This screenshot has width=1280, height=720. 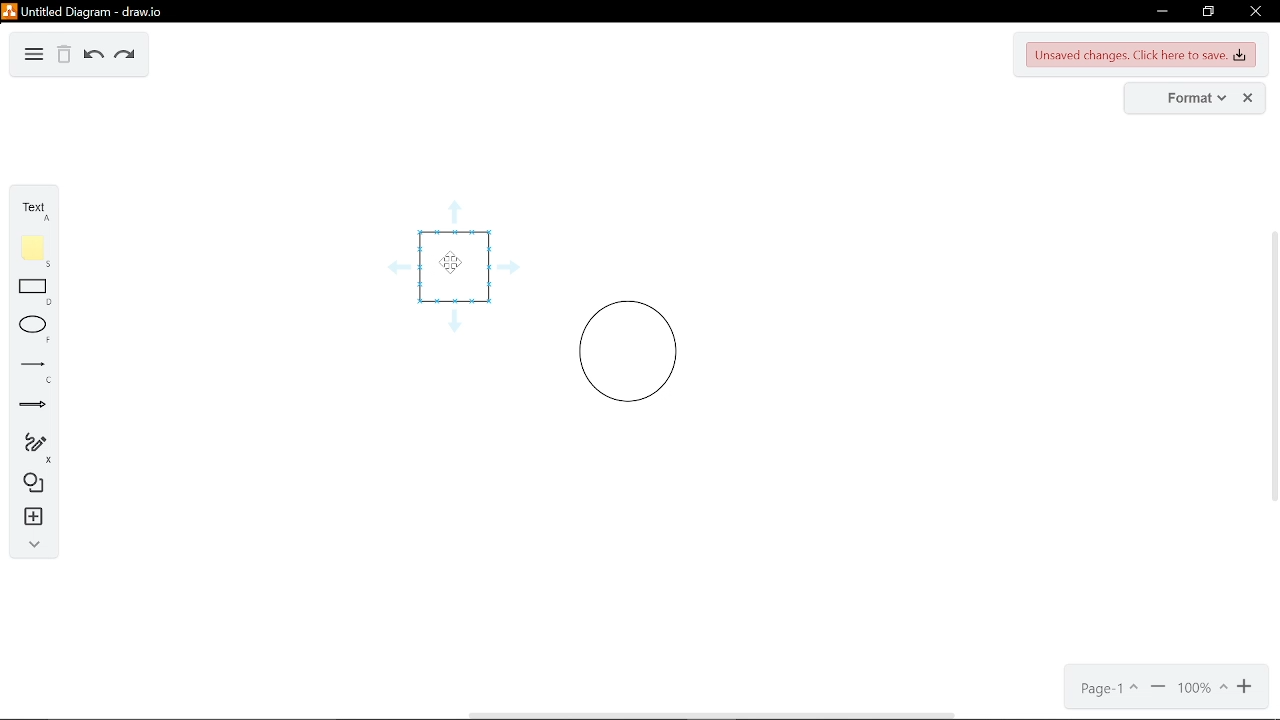 What do you see at coordinates (34, 55) in the screenshot?
I see `diagram` at bounding box center [34, 55].